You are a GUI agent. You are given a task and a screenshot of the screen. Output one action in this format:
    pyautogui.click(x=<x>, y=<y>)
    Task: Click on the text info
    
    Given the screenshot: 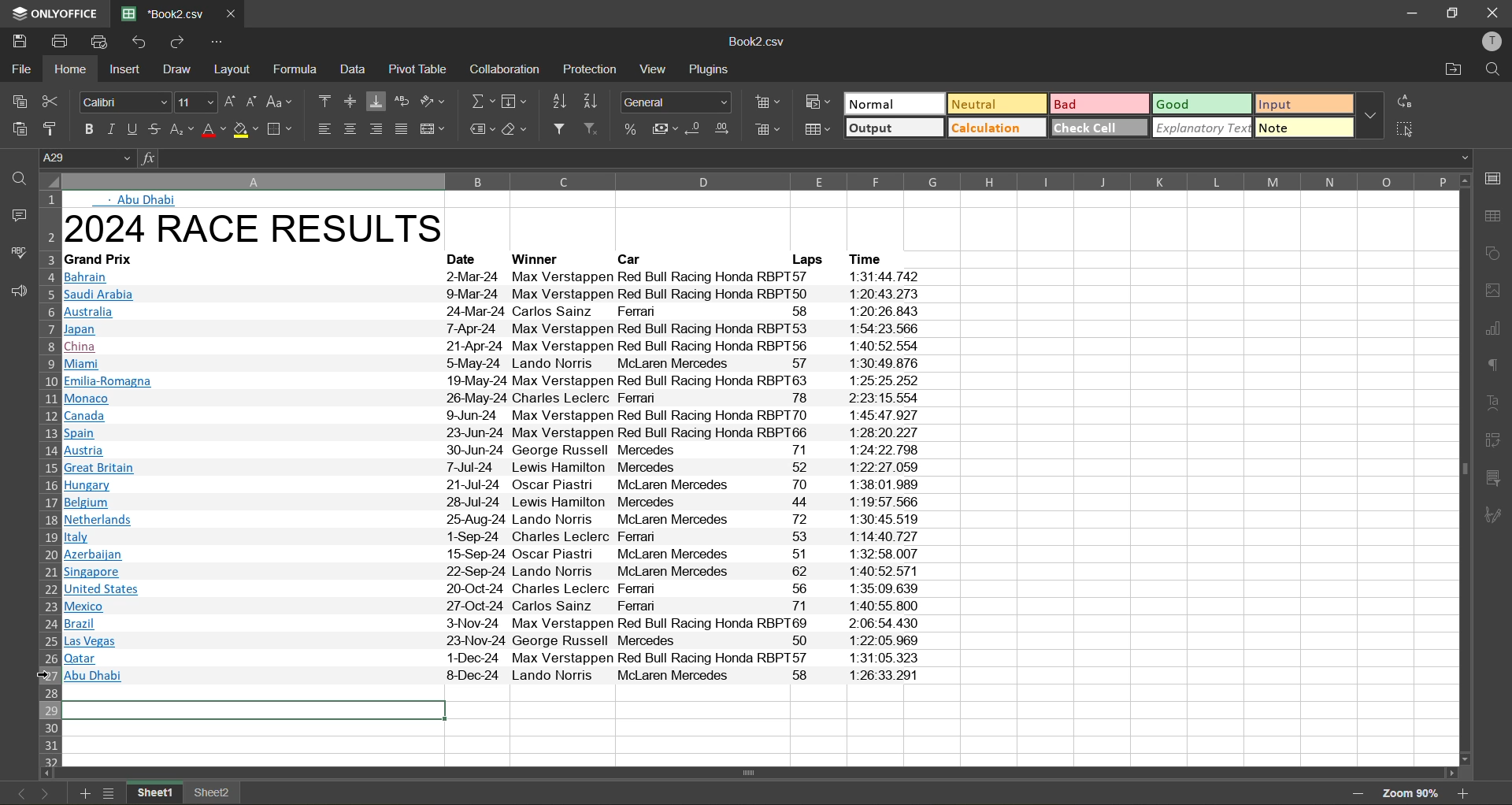 What is the action you would take?
    pyautogui.click(x=498, y=520)
    